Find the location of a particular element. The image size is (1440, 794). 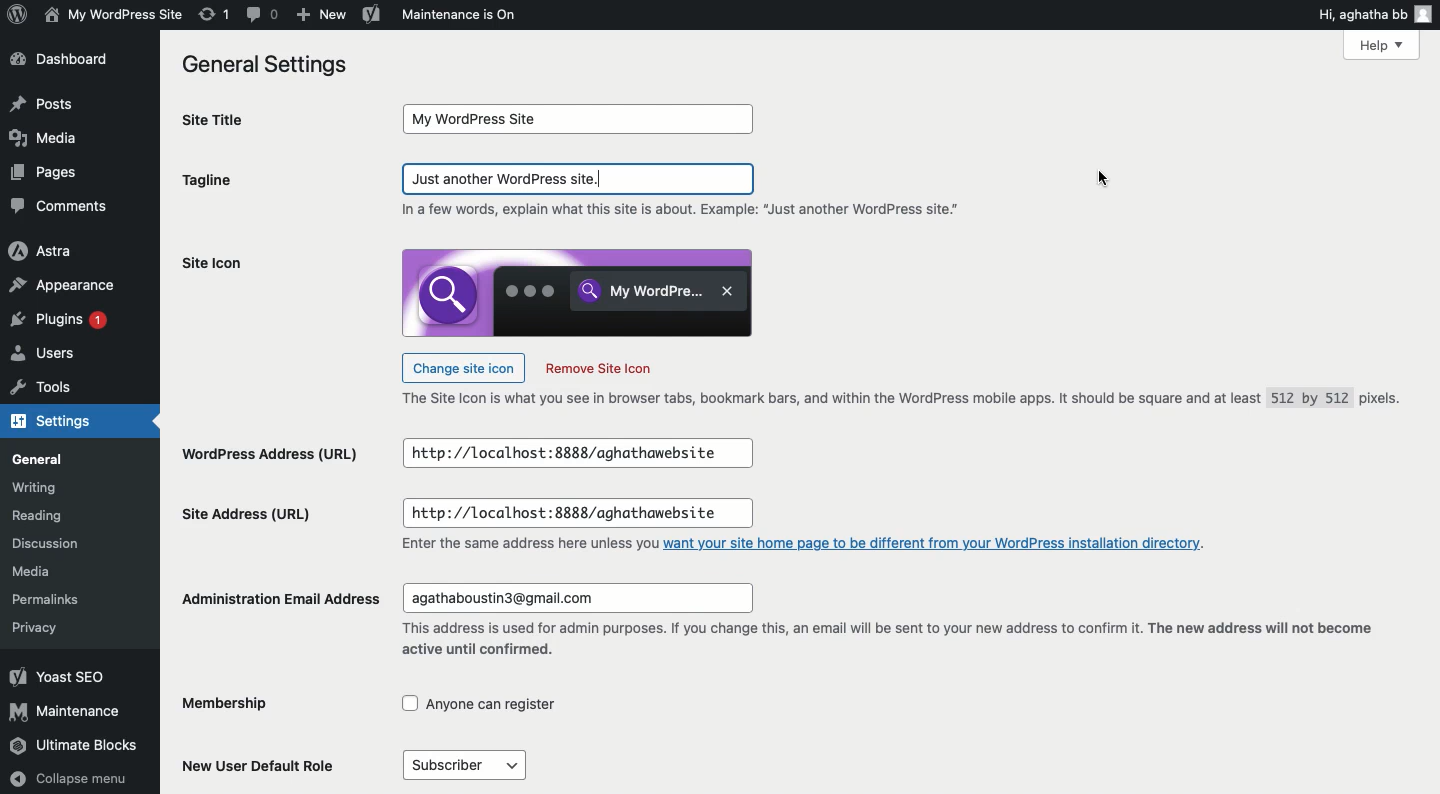

General settings is located at coordinates (272, 66).